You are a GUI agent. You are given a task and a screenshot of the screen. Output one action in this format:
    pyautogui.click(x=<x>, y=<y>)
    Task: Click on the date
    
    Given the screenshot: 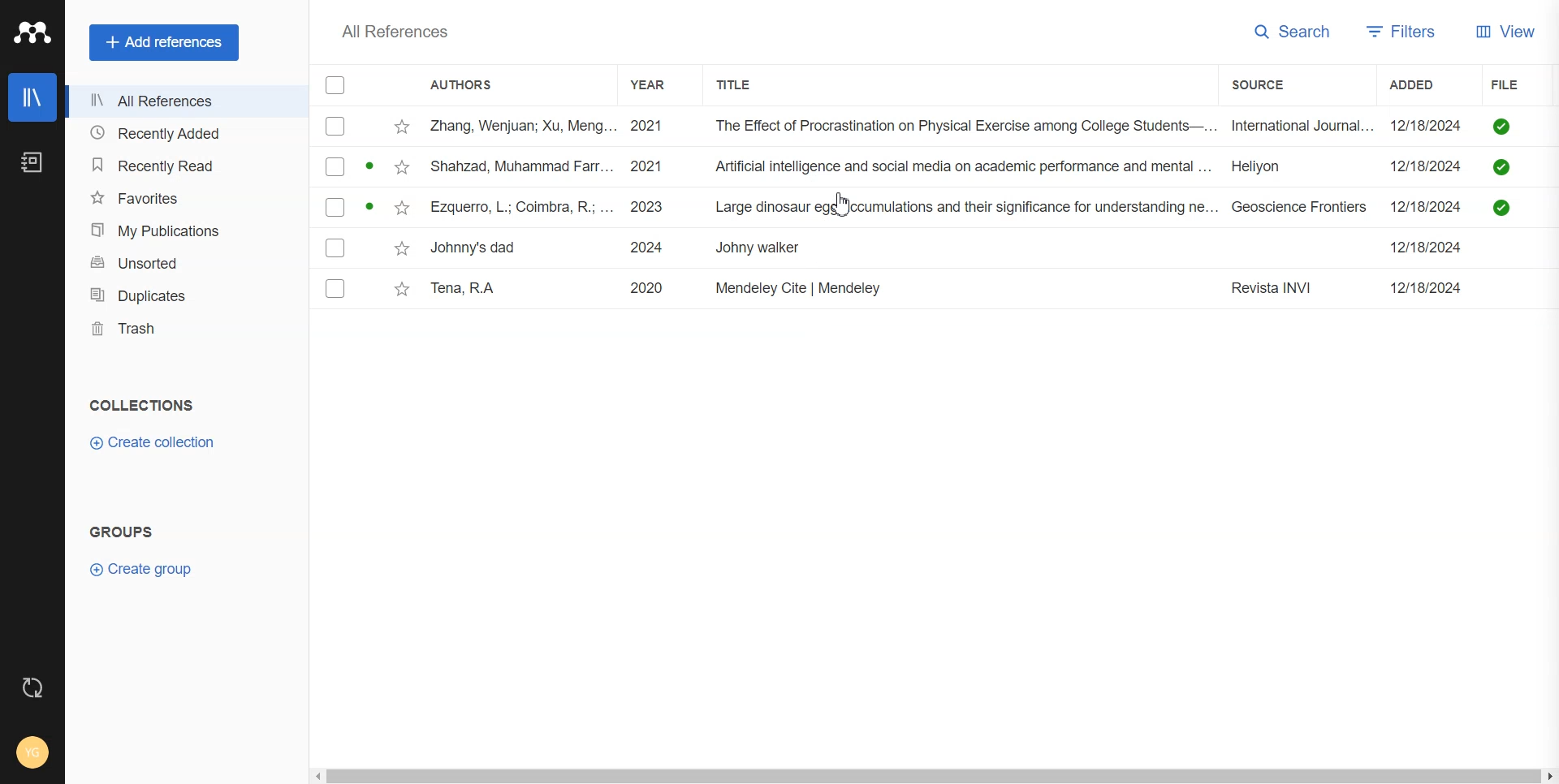 What is the action you would take?
    pyautogui.click(x=1426, y=166)
    